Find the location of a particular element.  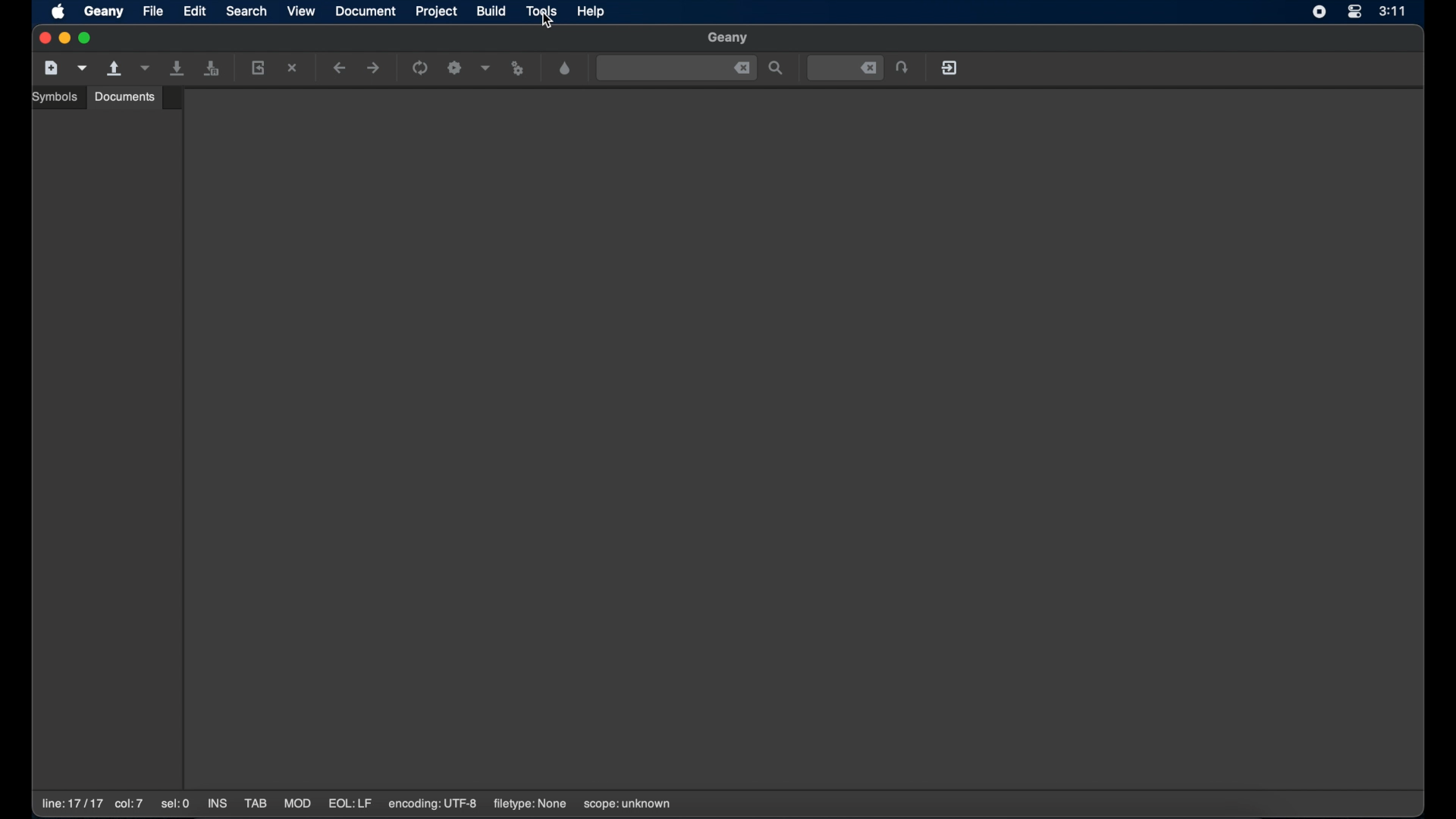

choose more build options is located at coordinates (486, 67).